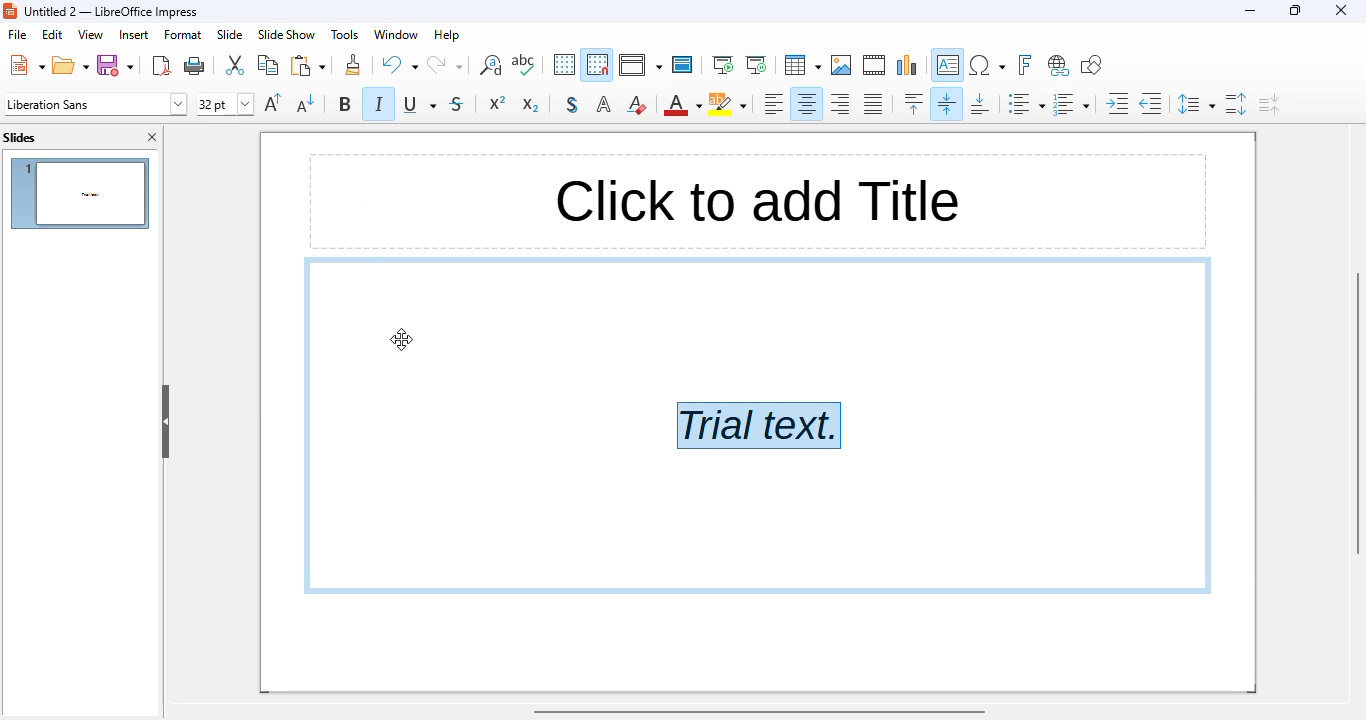  I want to click on insert chart, so click(908, 65).